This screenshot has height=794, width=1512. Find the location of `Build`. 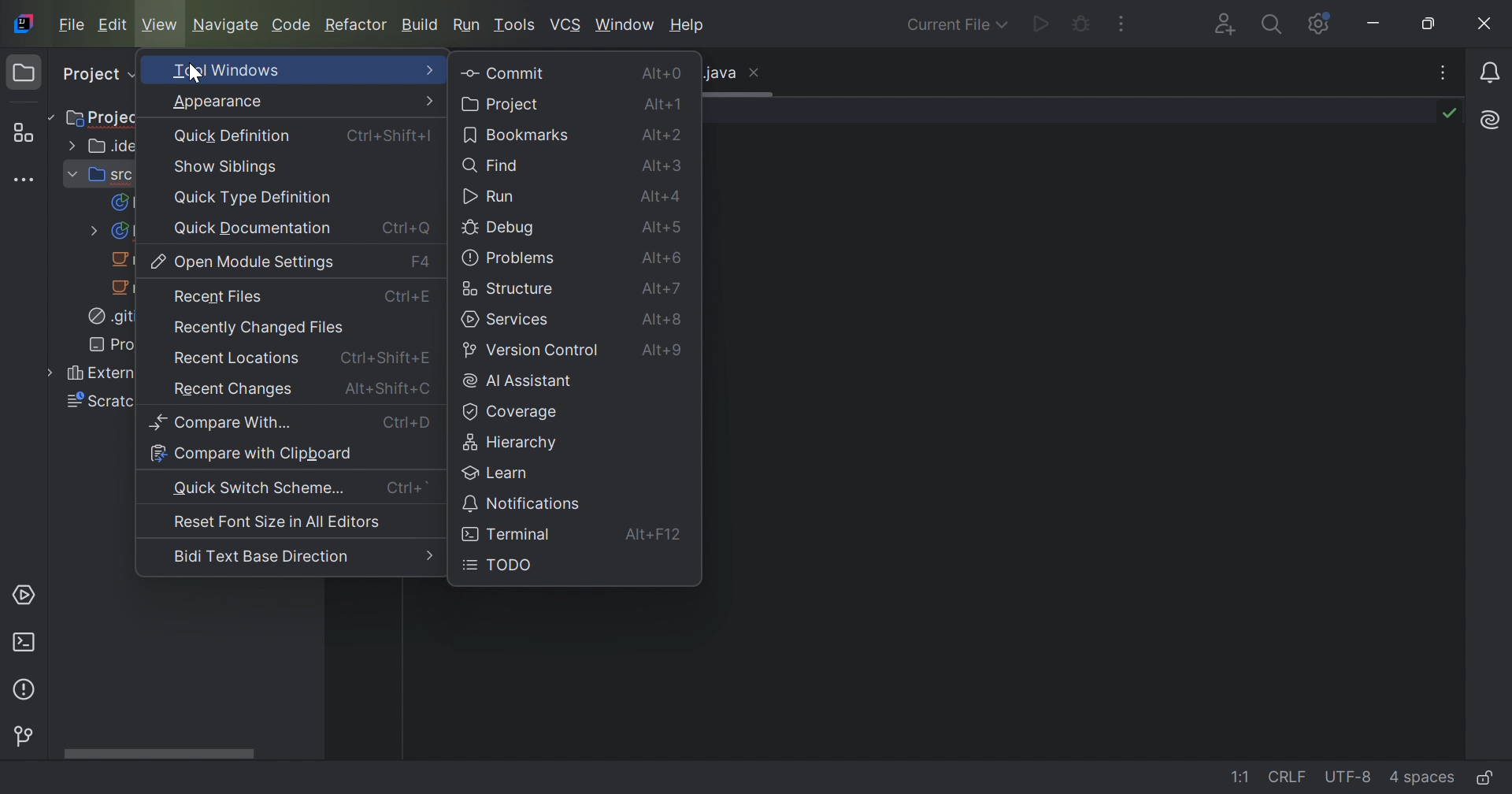

Build is located at coordinates (421, 27).